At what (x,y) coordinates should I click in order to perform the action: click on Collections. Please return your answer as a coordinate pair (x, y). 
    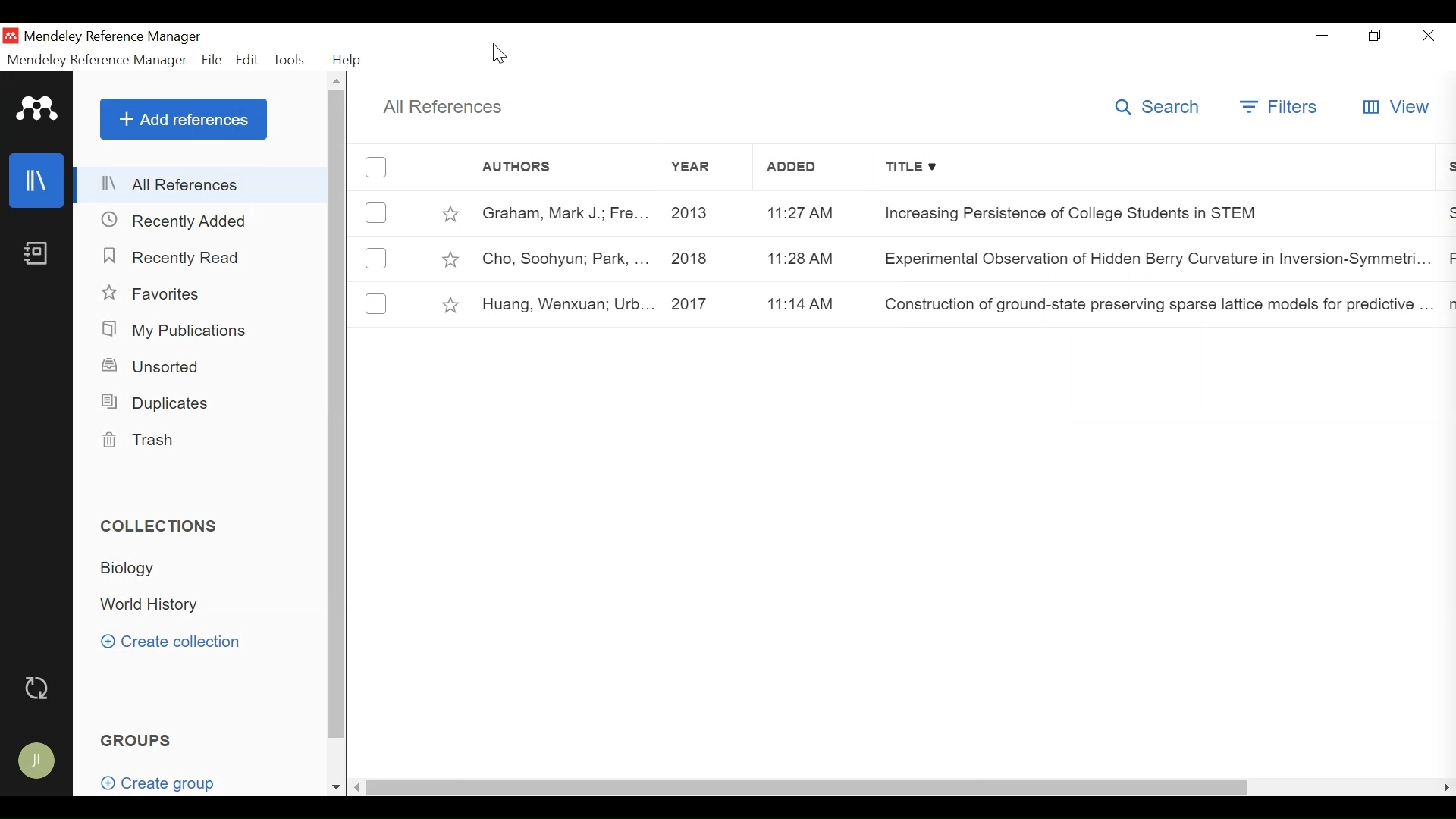
    Looking at the image, I should click on (165, 527).